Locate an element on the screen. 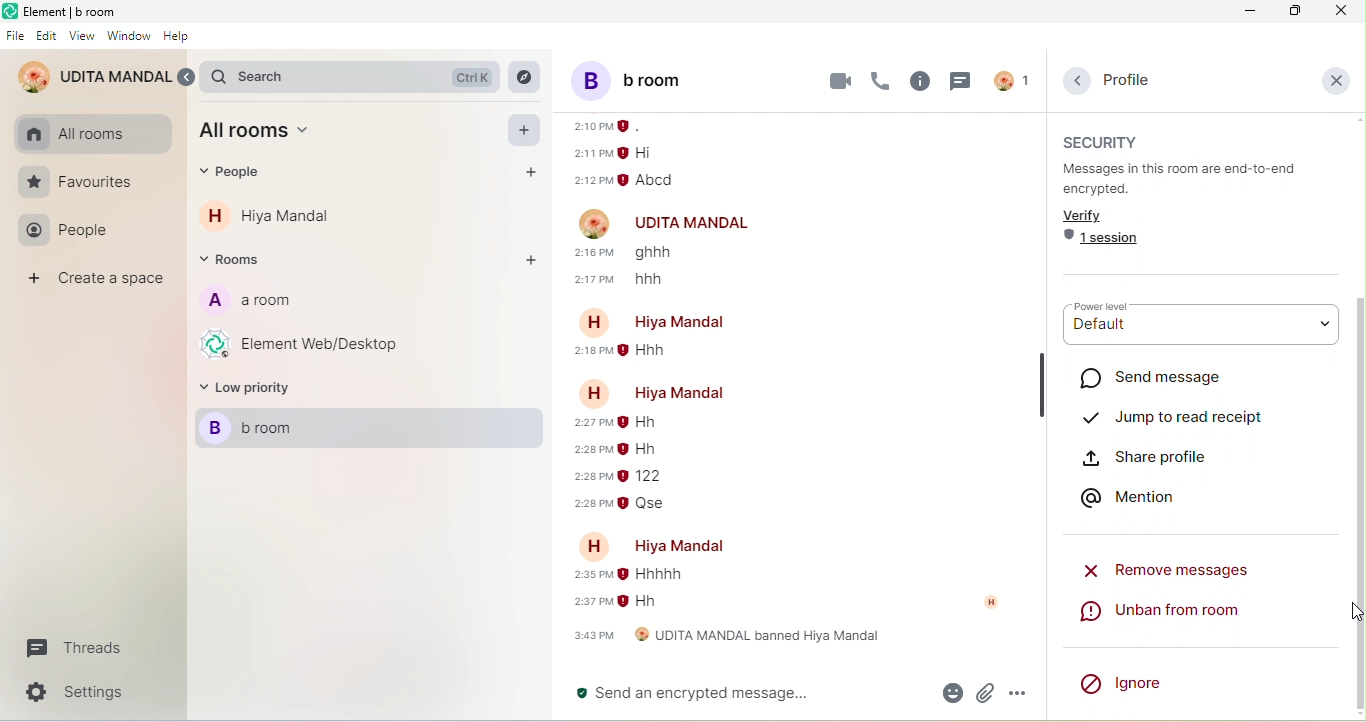 This screenshot has width=1366, height=722. jump to read receipt is located at coordinates (1174, 412).